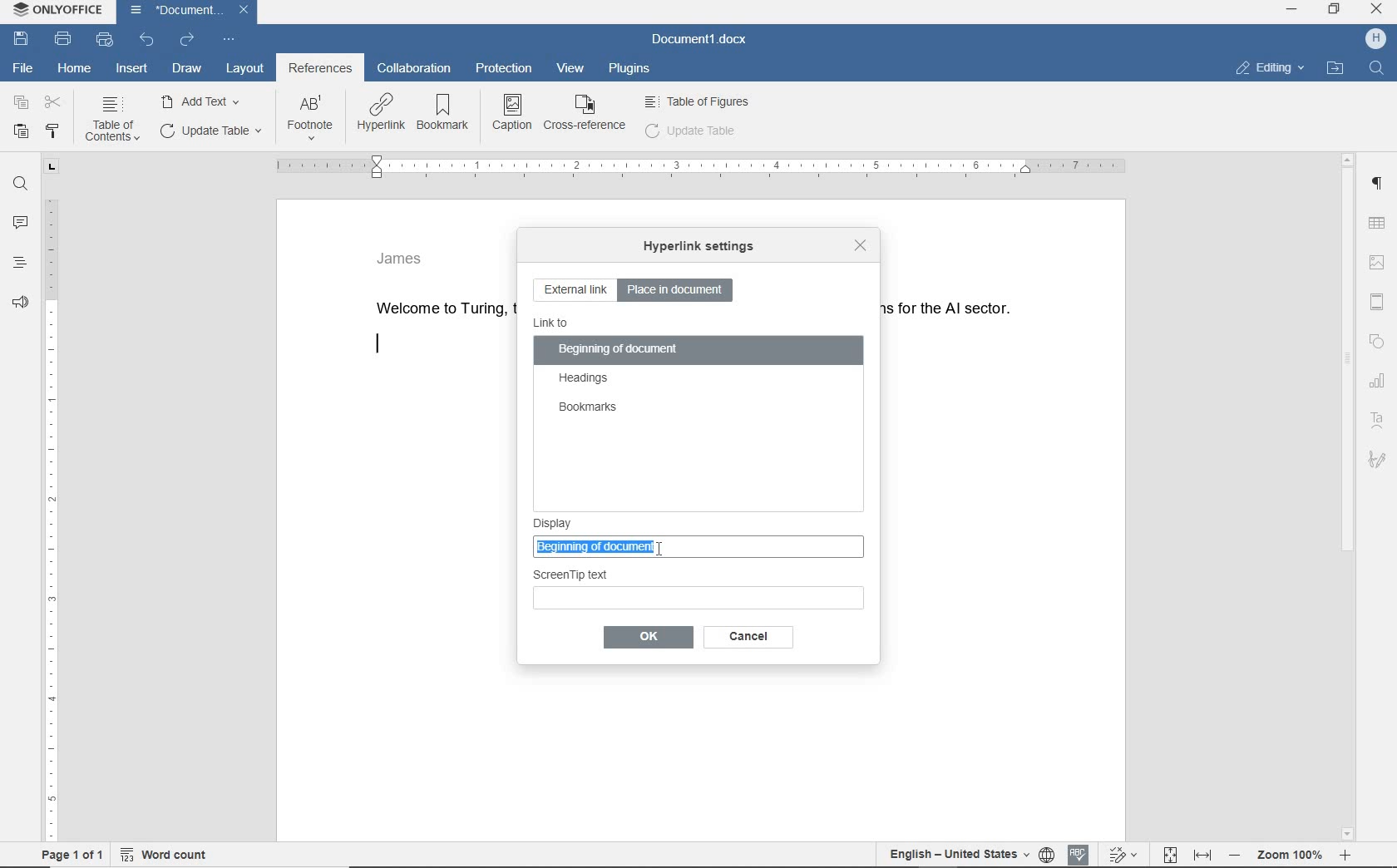 This screenshot has height=868, width=1397. Describe the element at coordinates (1169, 855) in the screenshot. I see `fit topage` at that location.